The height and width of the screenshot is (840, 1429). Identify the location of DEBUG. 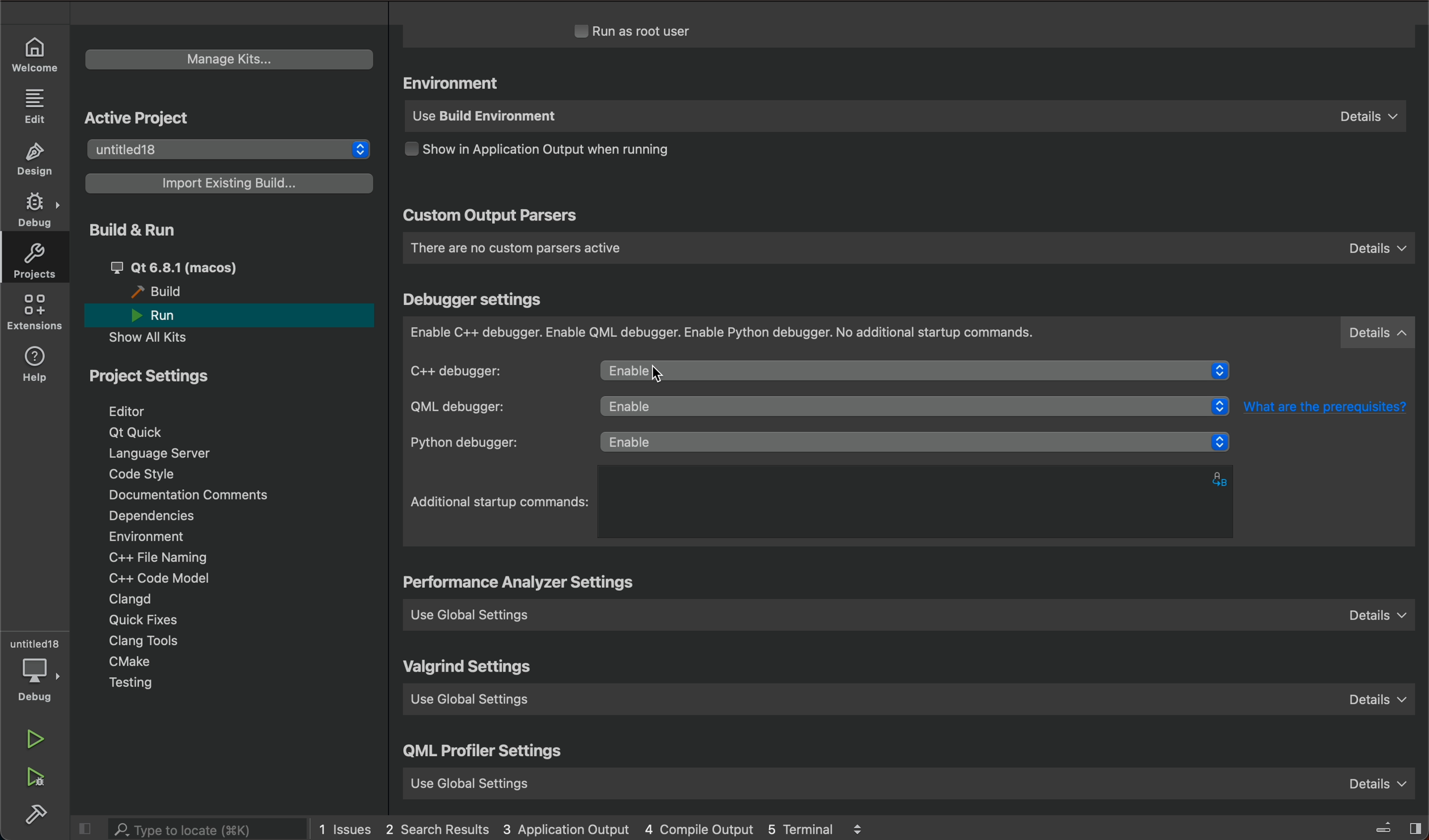
(37, 211).